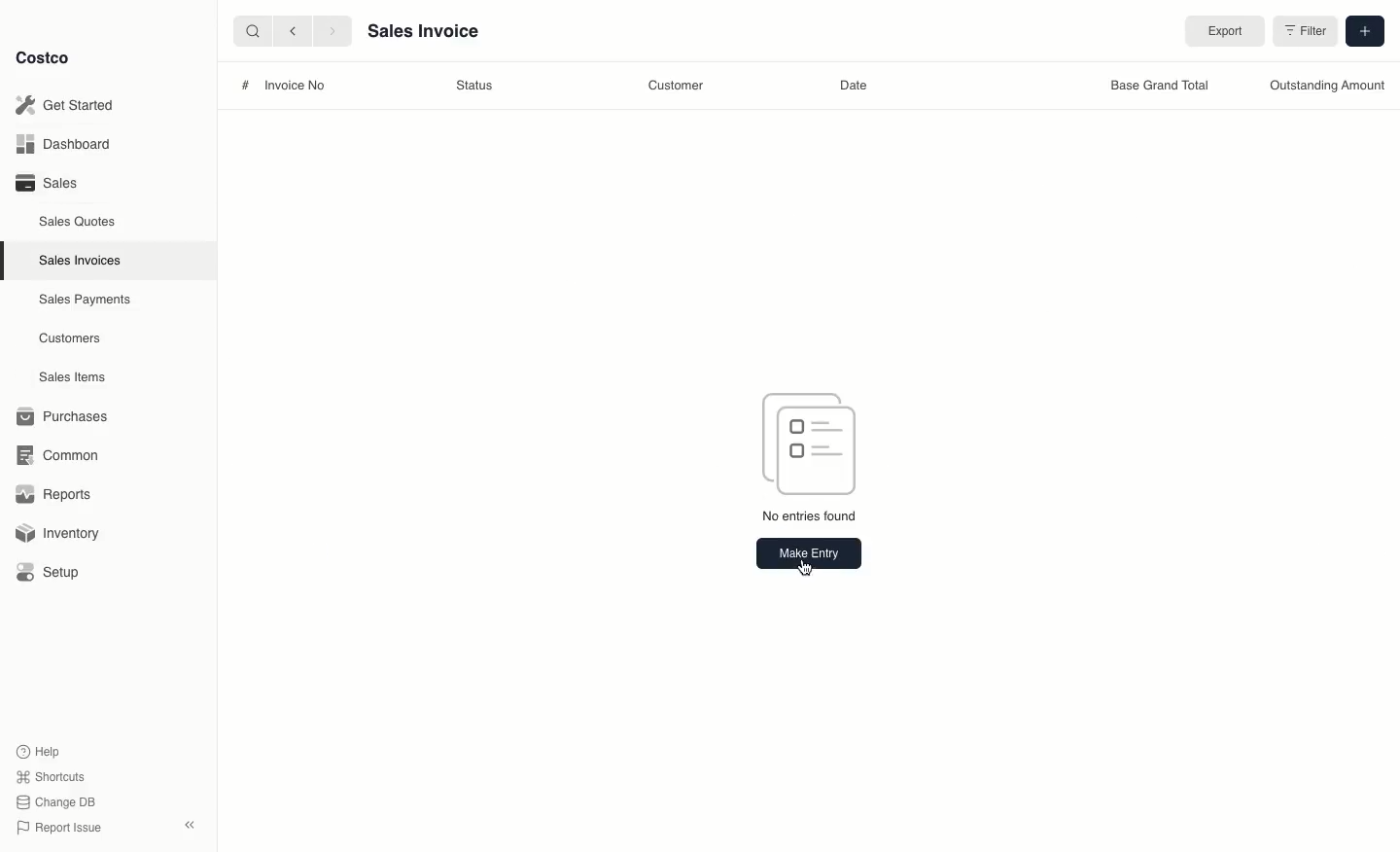  I want to click on No entries found, so click(807, 516).